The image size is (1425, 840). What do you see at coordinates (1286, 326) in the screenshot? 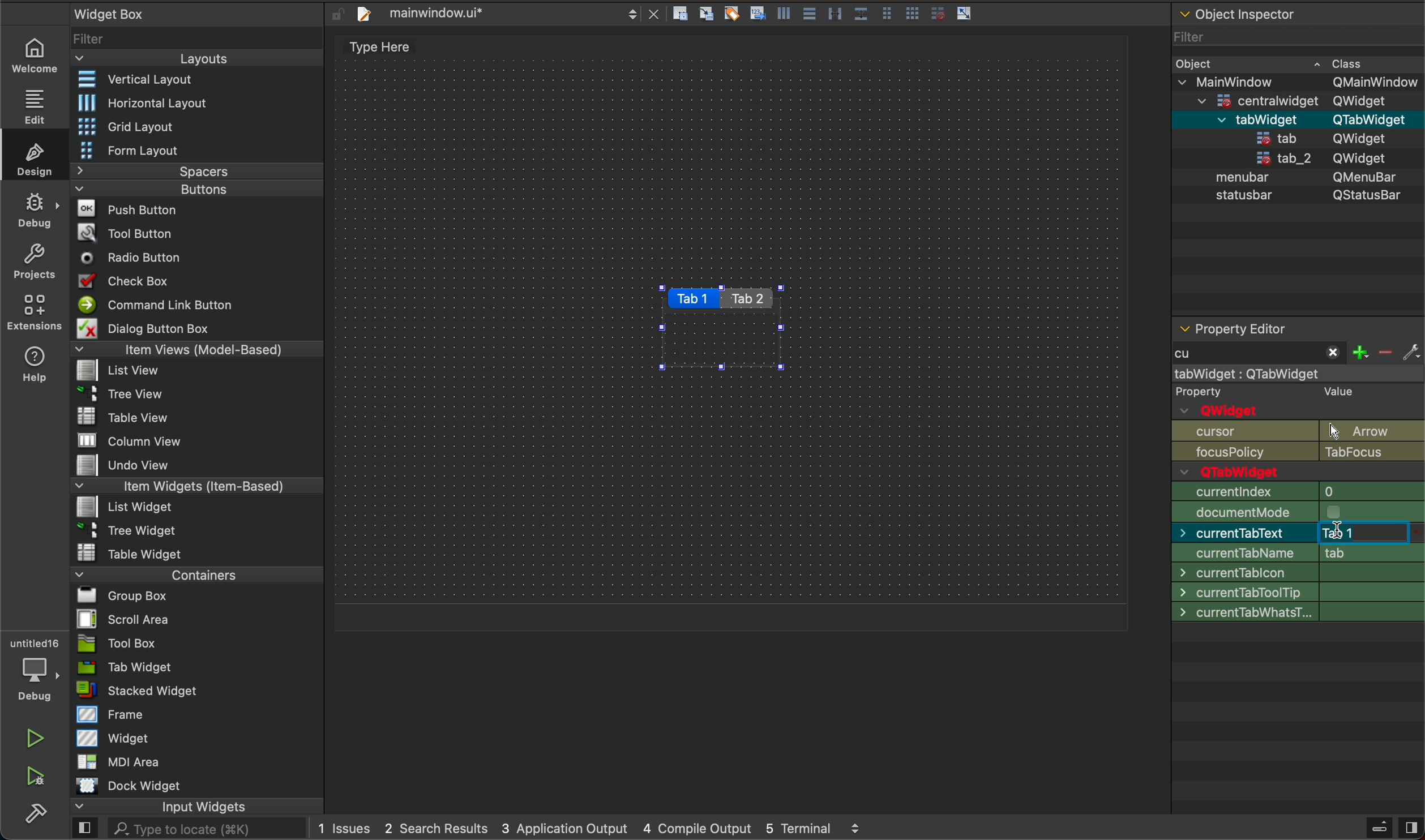
I see `property editor` at bounding box center [1286, 326].